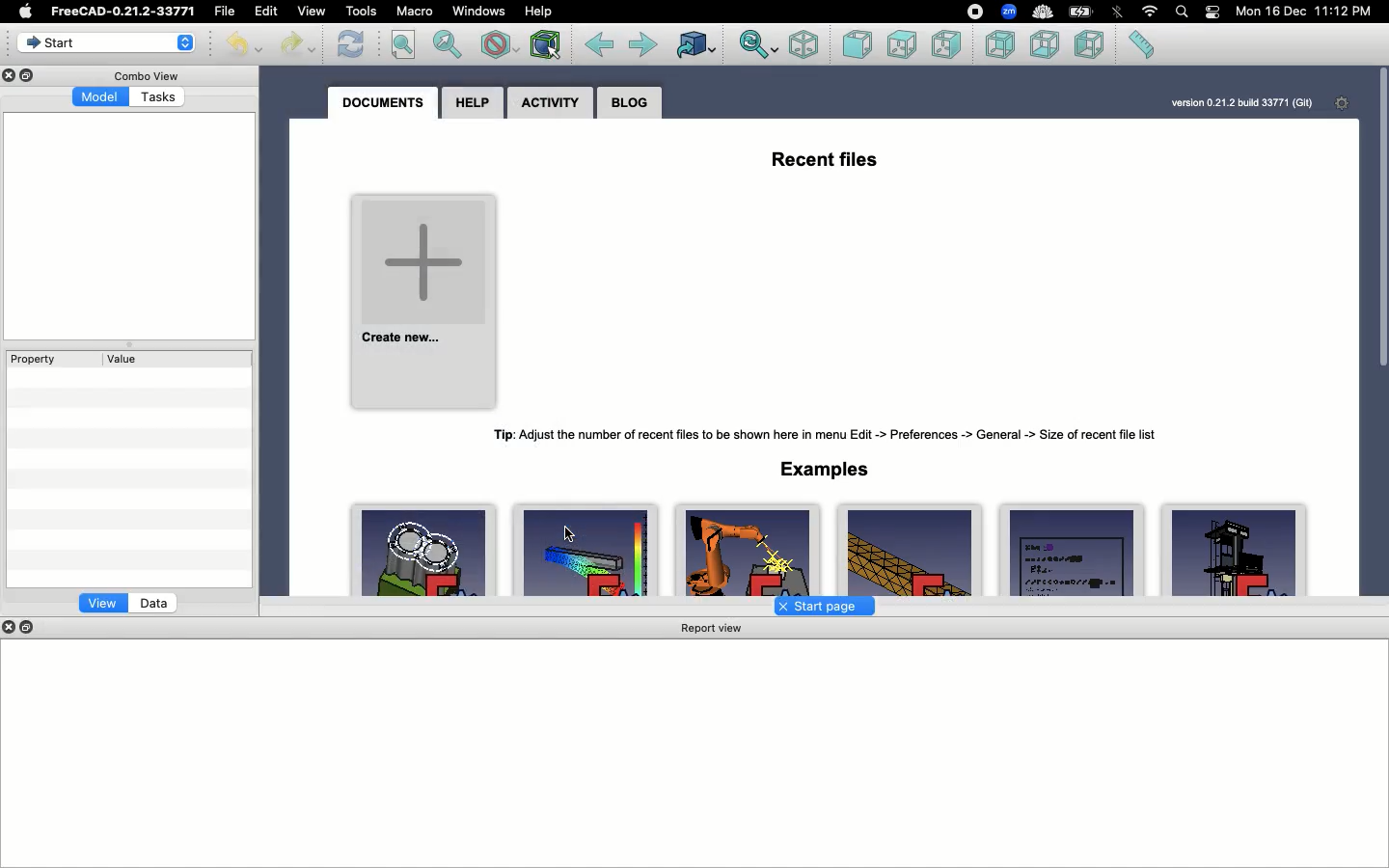 This screenshot has height=868, width=1389. I want to click on Tip: Adjust the number of recent files to be shown here in menu Edit -> Preferences -> General -> Size of recent file list, so click(833, 432).